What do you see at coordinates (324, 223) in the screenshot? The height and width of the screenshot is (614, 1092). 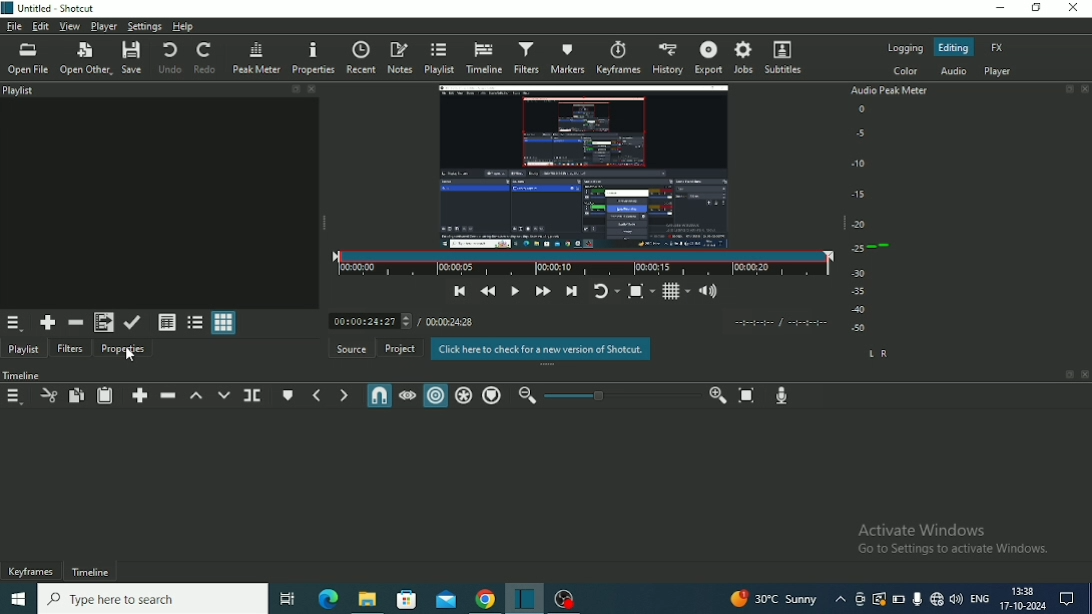 I see `Resize` at bounding box center [324, 223].